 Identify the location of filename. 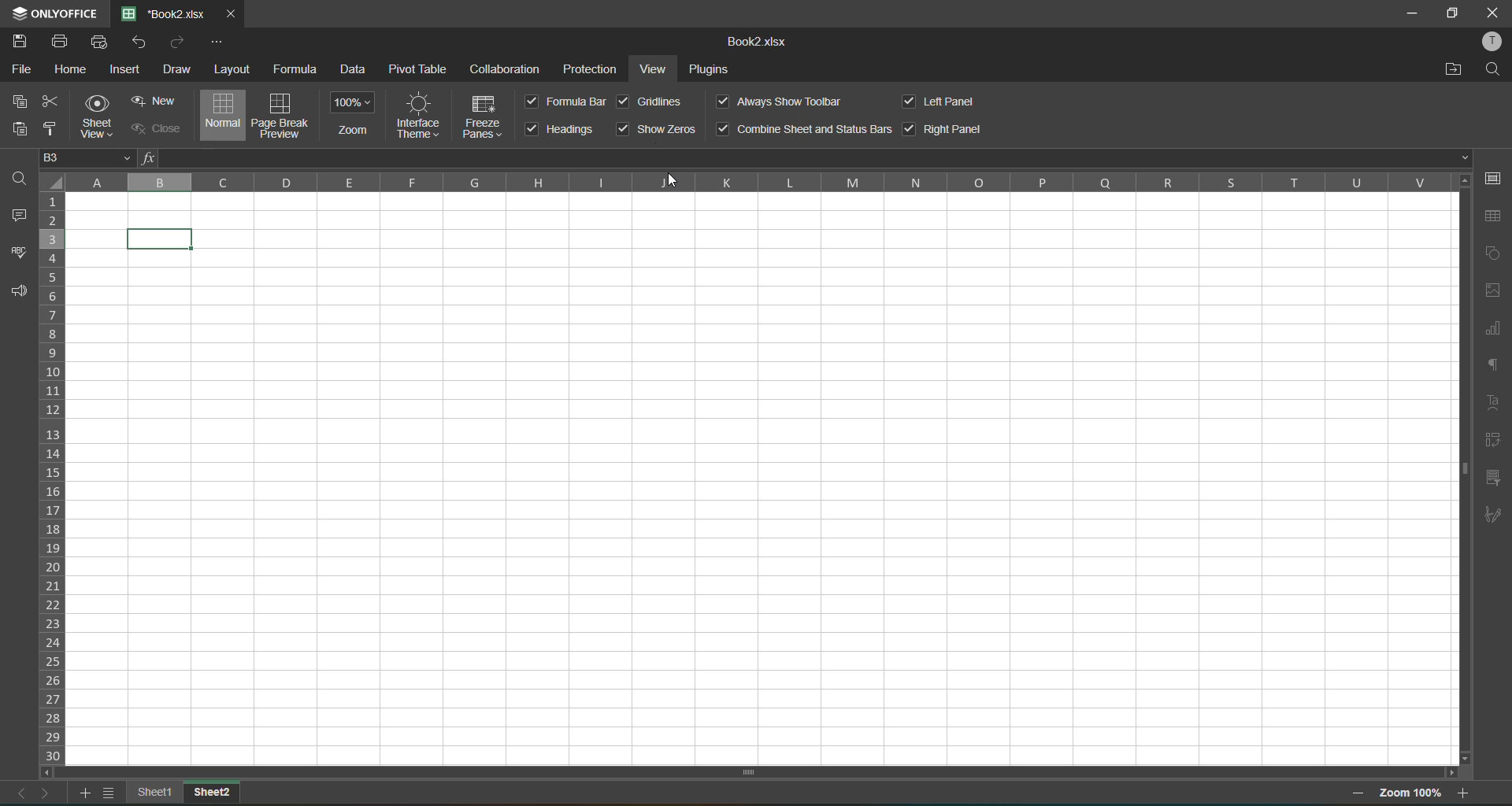
(753, 43).